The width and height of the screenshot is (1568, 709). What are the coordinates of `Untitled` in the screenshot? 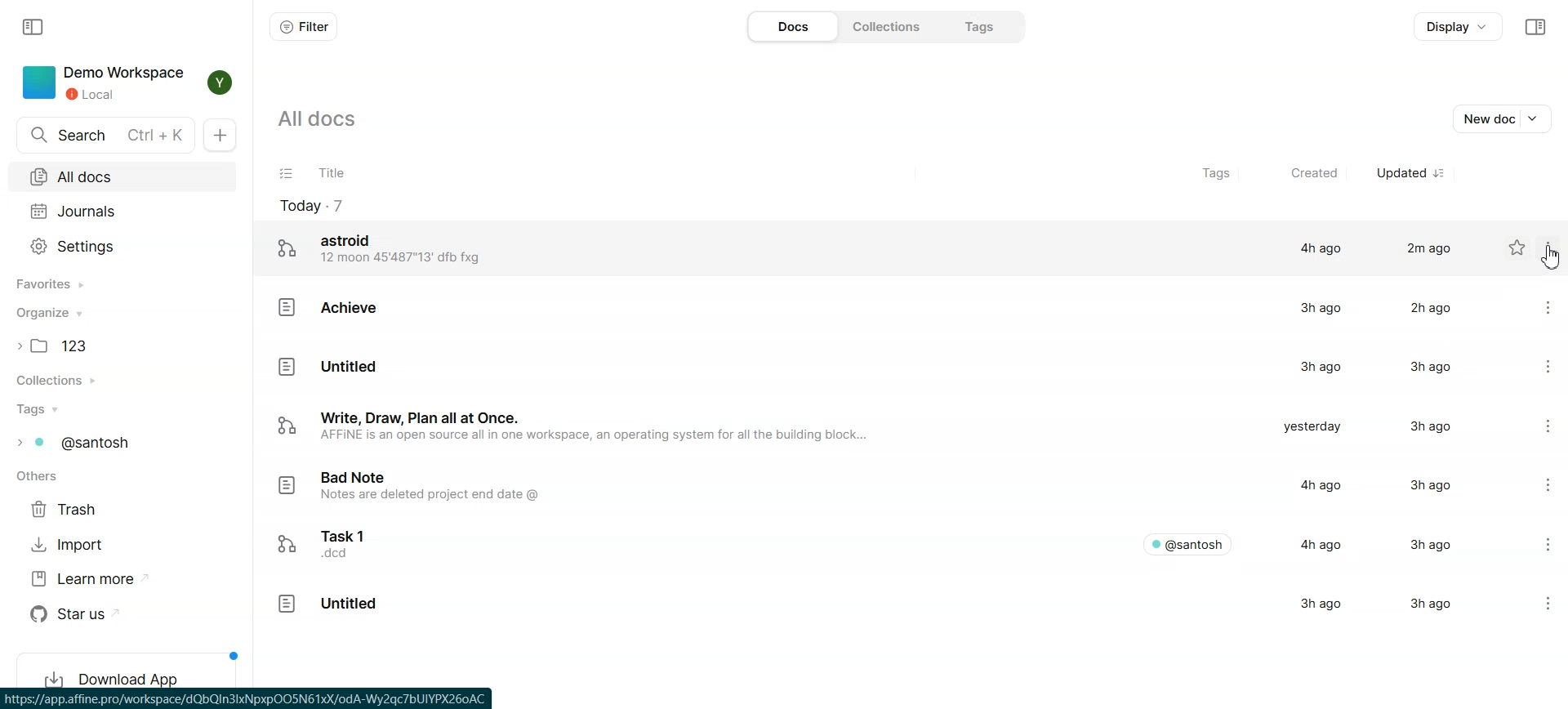 It's located at (327, 608).